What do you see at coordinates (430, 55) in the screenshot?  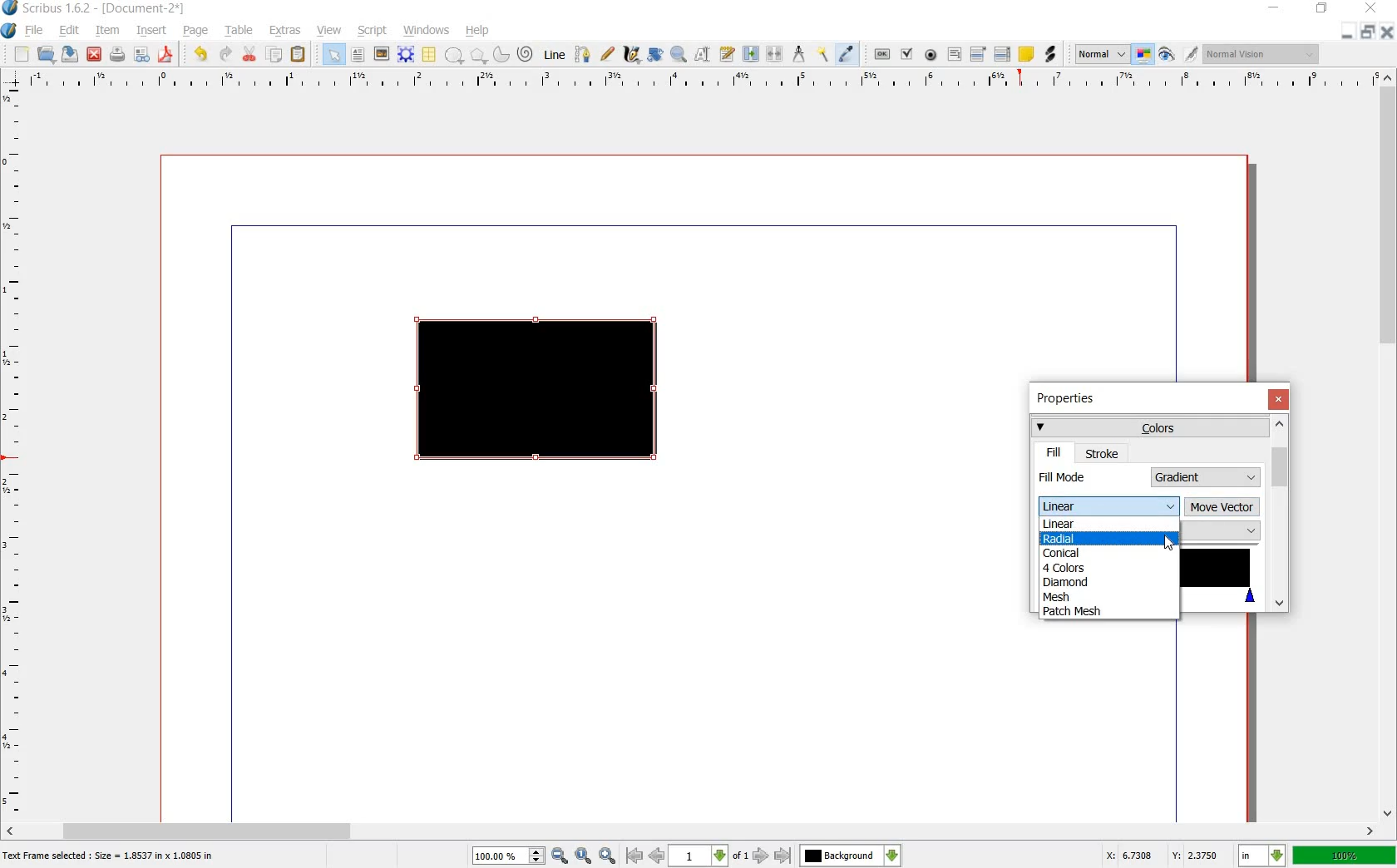 I see `table` at bounding box center [430, 55].